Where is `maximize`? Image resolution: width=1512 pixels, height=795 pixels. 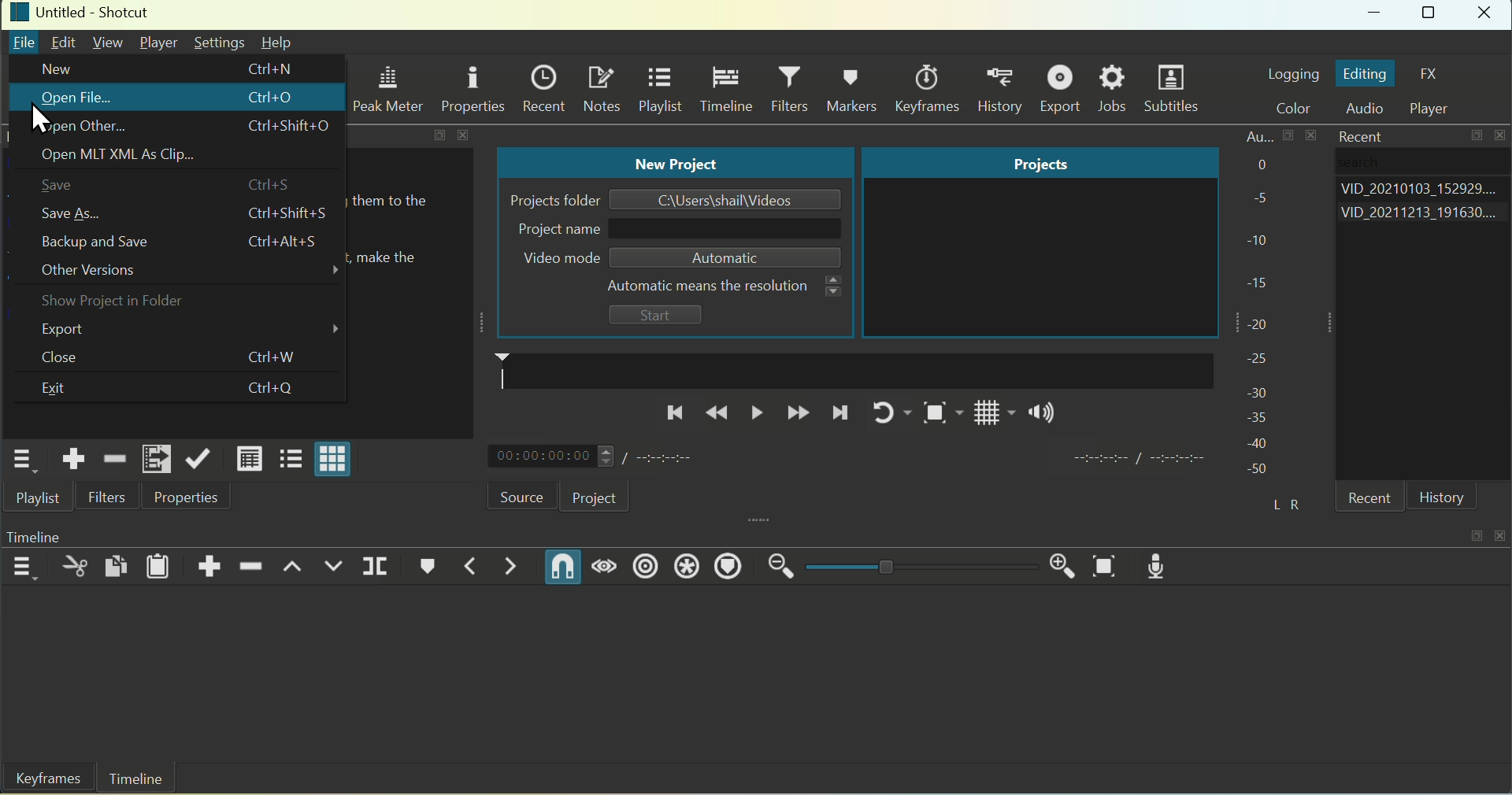 maximize is located at coordinates (1478, 138).